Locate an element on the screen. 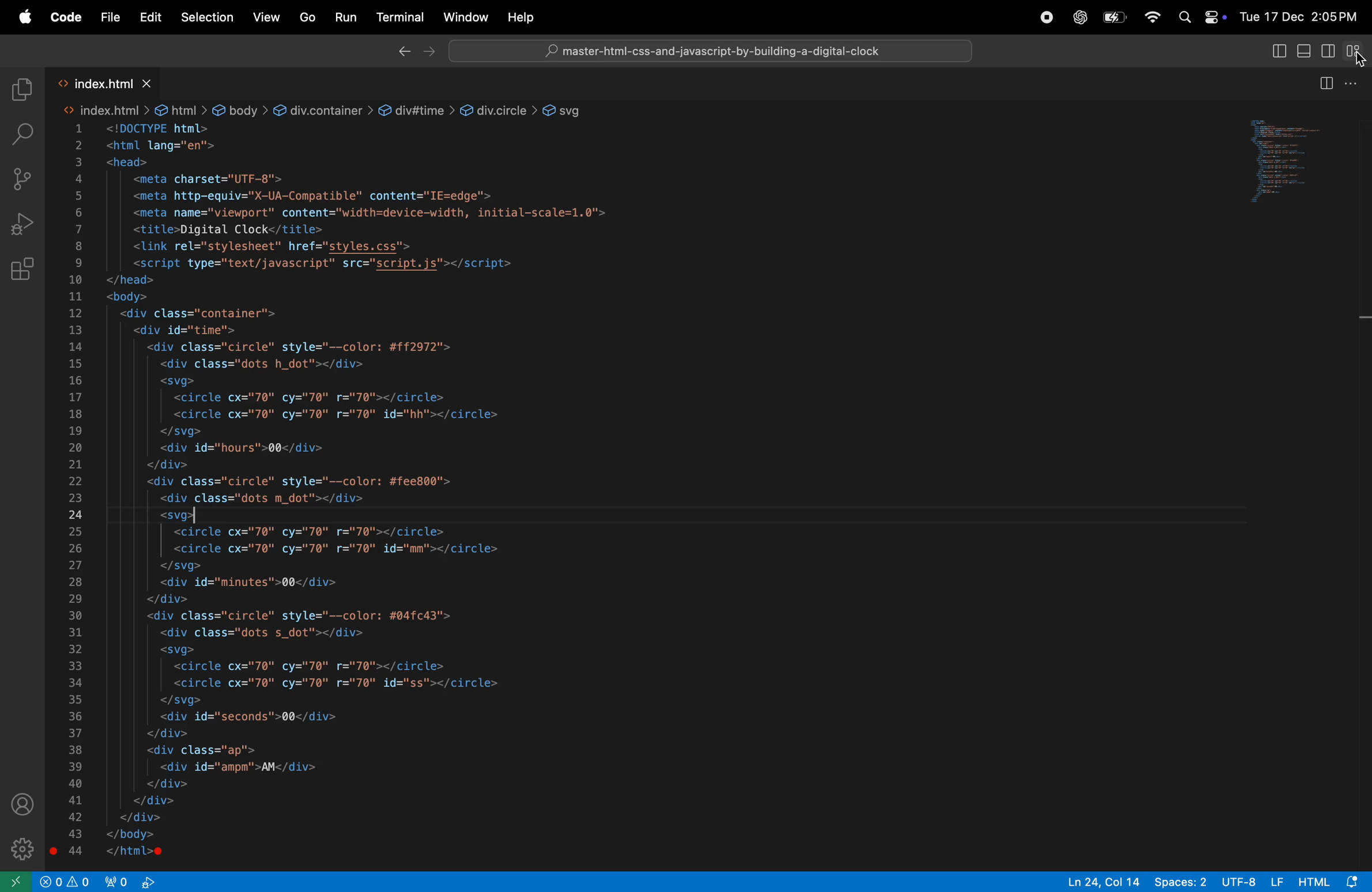 This screenshot has height=892, width=1372. toggle panel is located at coordinates (1303, 161).